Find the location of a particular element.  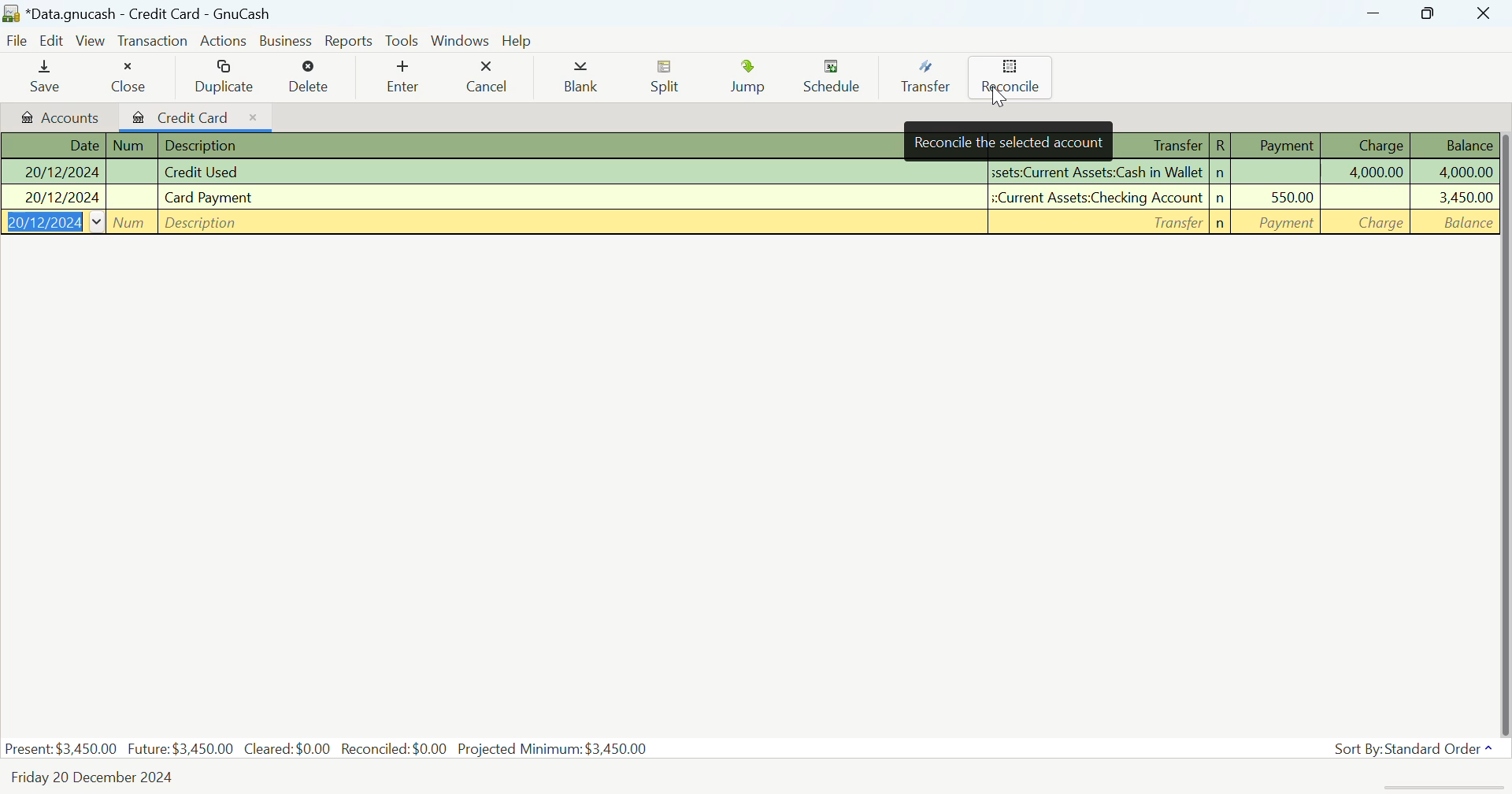

*Data.gnucash - Credit Card - GnuCash is located at coordinates (142, 13).